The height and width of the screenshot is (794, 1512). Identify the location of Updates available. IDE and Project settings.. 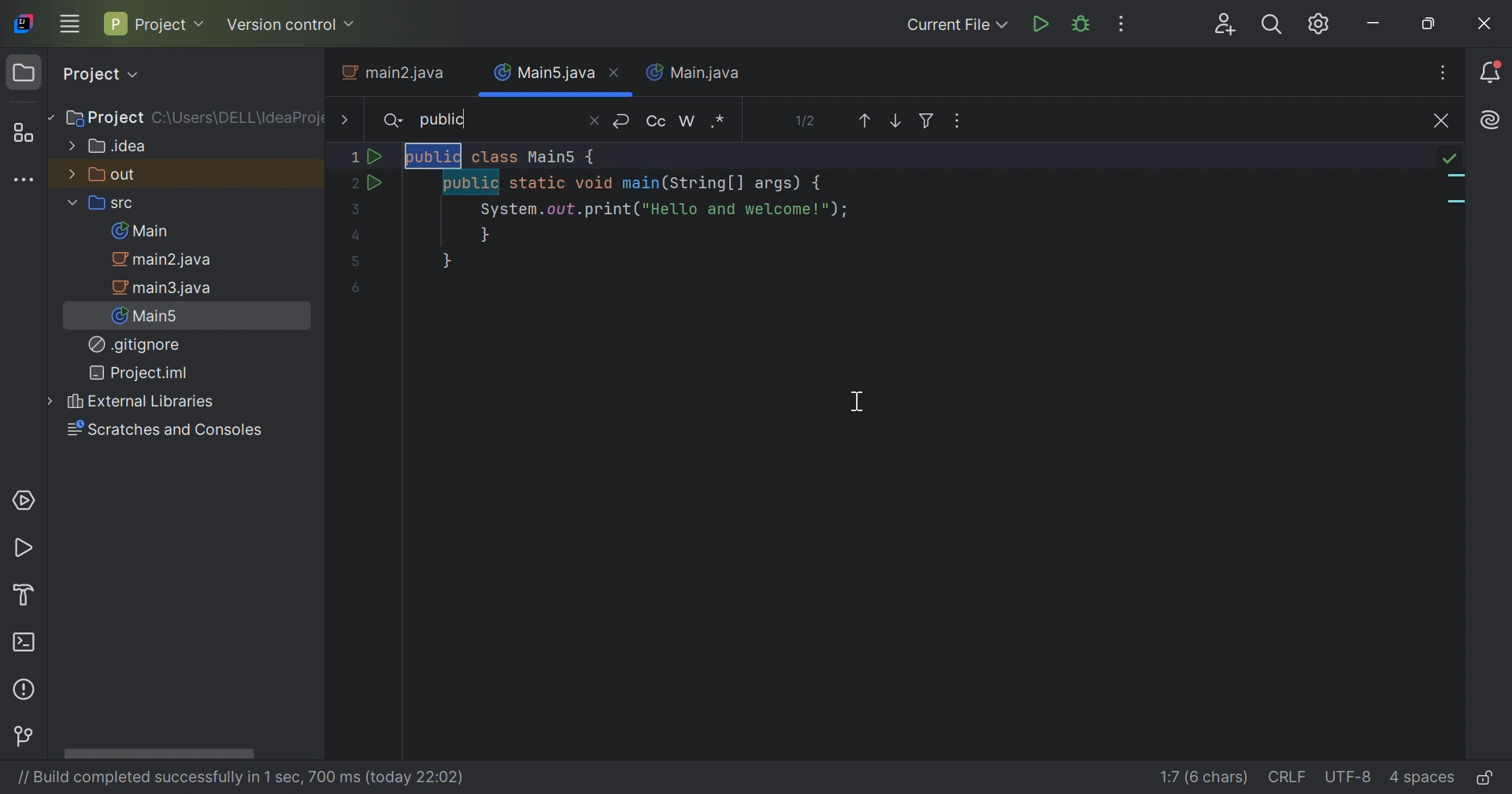
(1319, 25).